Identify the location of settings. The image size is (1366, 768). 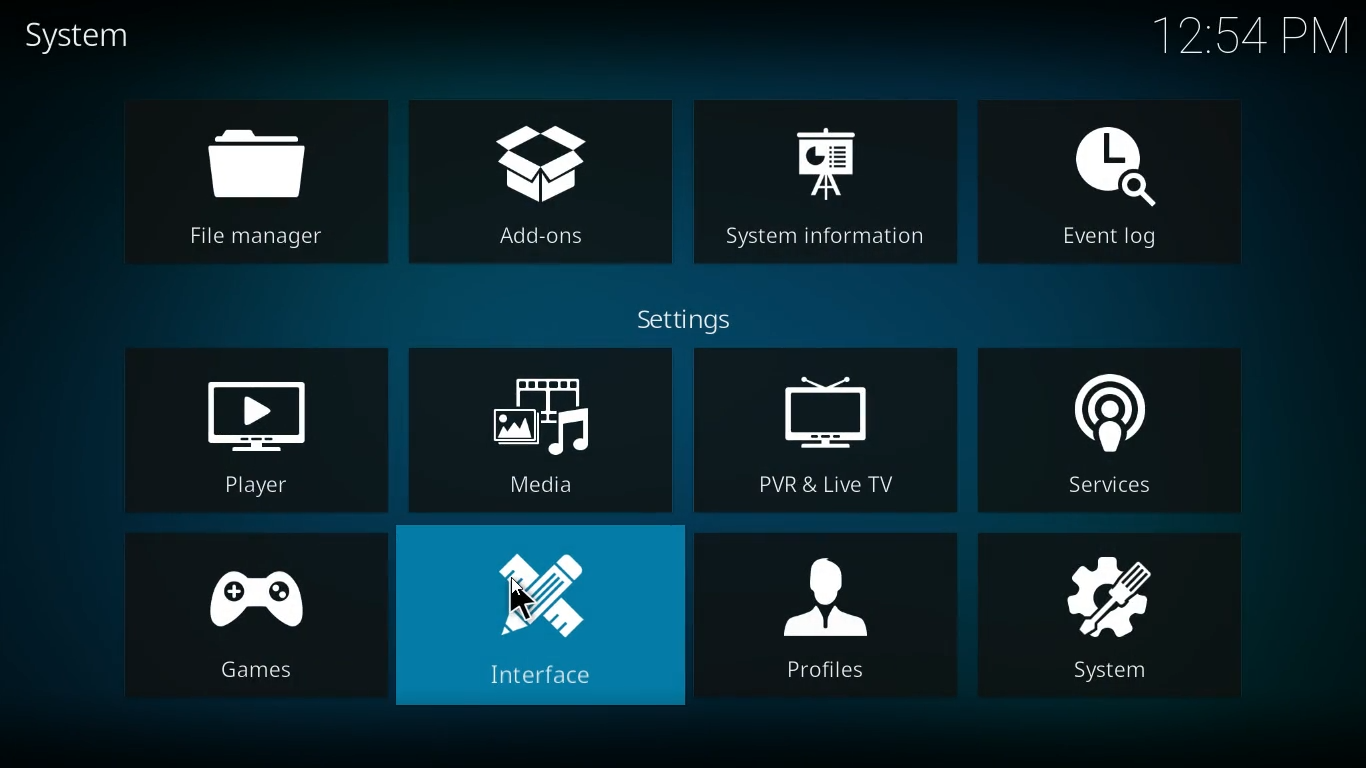
(713, 318).